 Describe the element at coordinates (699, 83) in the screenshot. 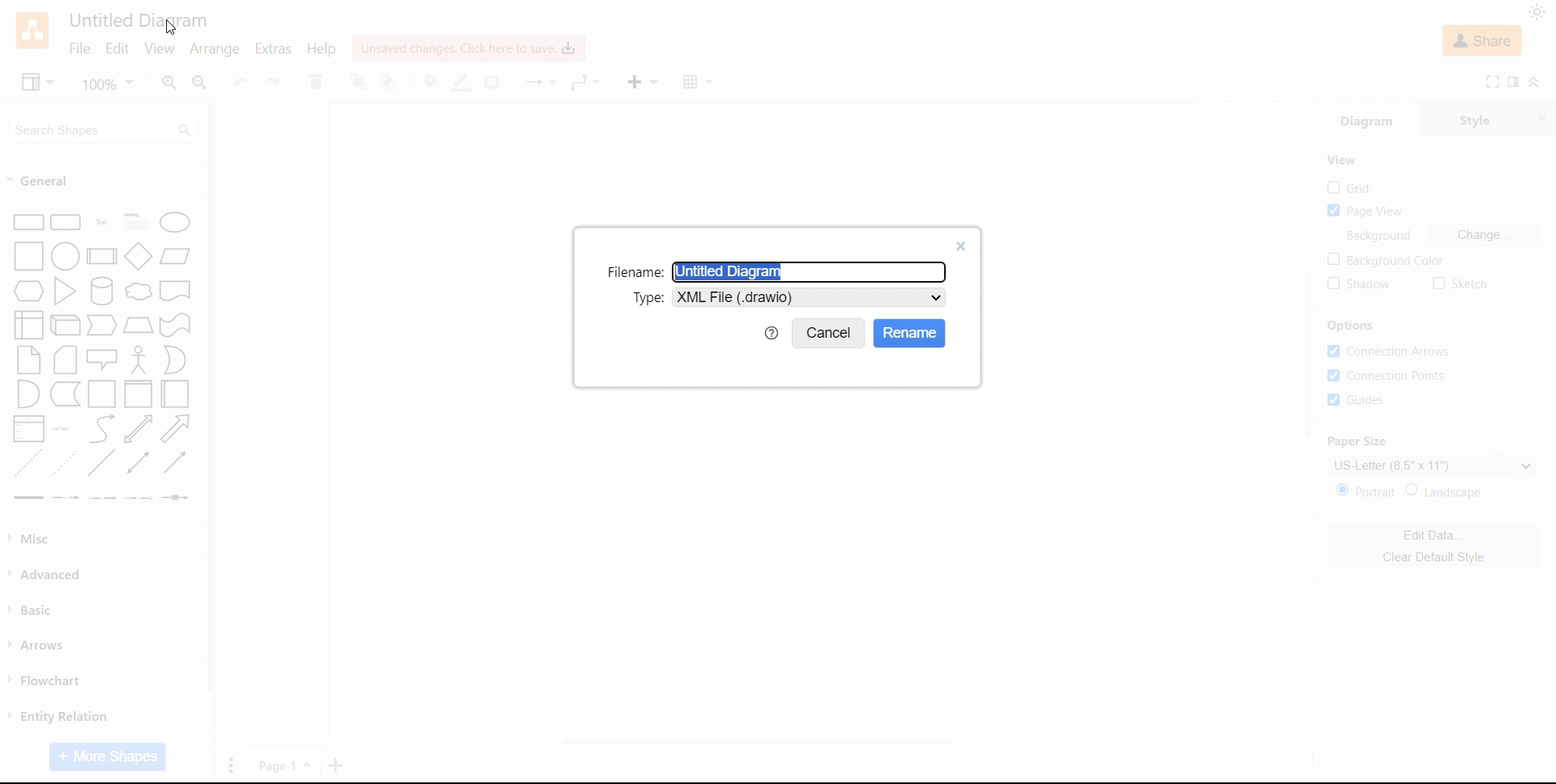

I see `Table ` at that location.